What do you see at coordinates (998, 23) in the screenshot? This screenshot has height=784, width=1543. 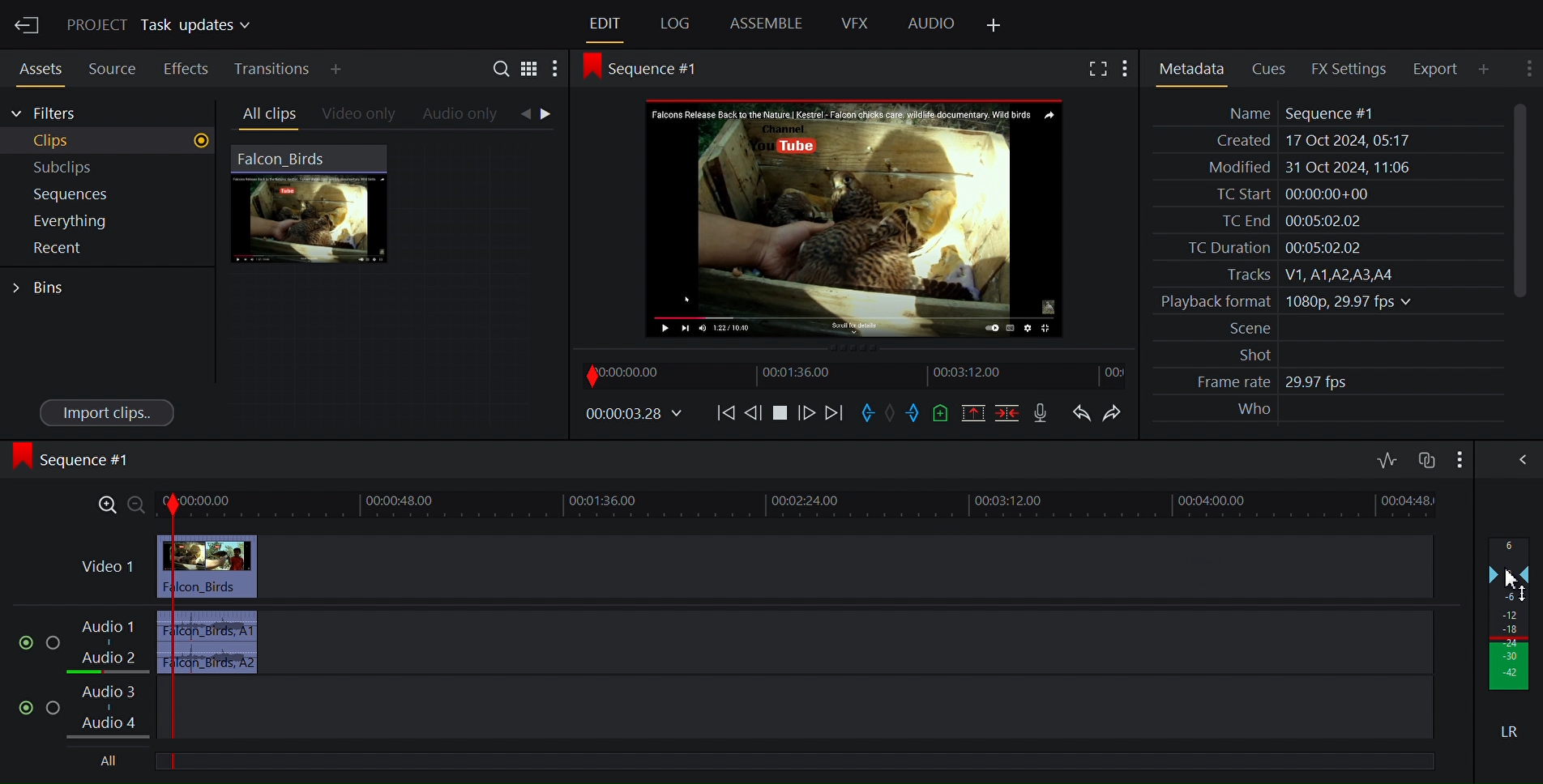 I see `Add Panel` at bounding box center [998, 23].